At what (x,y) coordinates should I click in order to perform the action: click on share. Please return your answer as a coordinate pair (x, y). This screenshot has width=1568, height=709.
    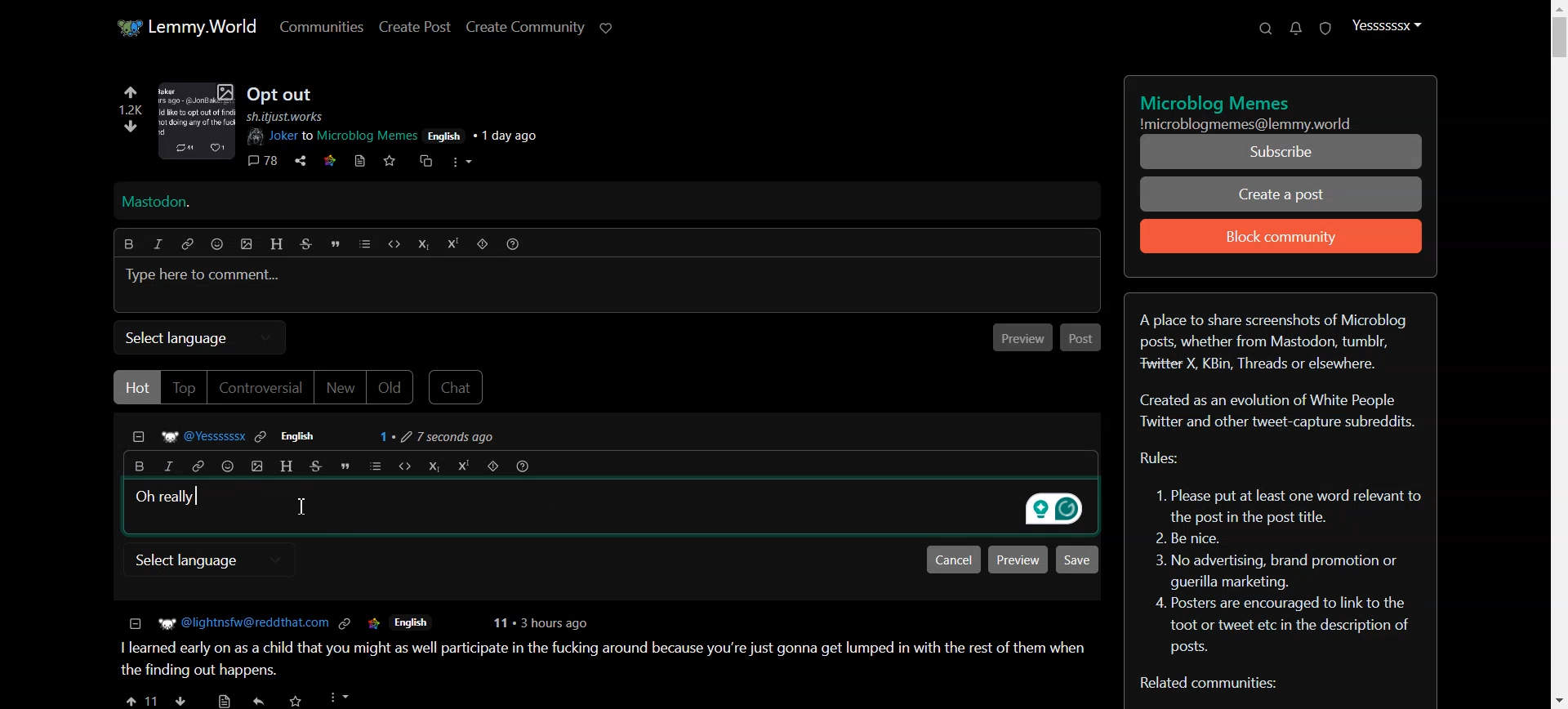
    Looking at the image, I should click on (260, 698).